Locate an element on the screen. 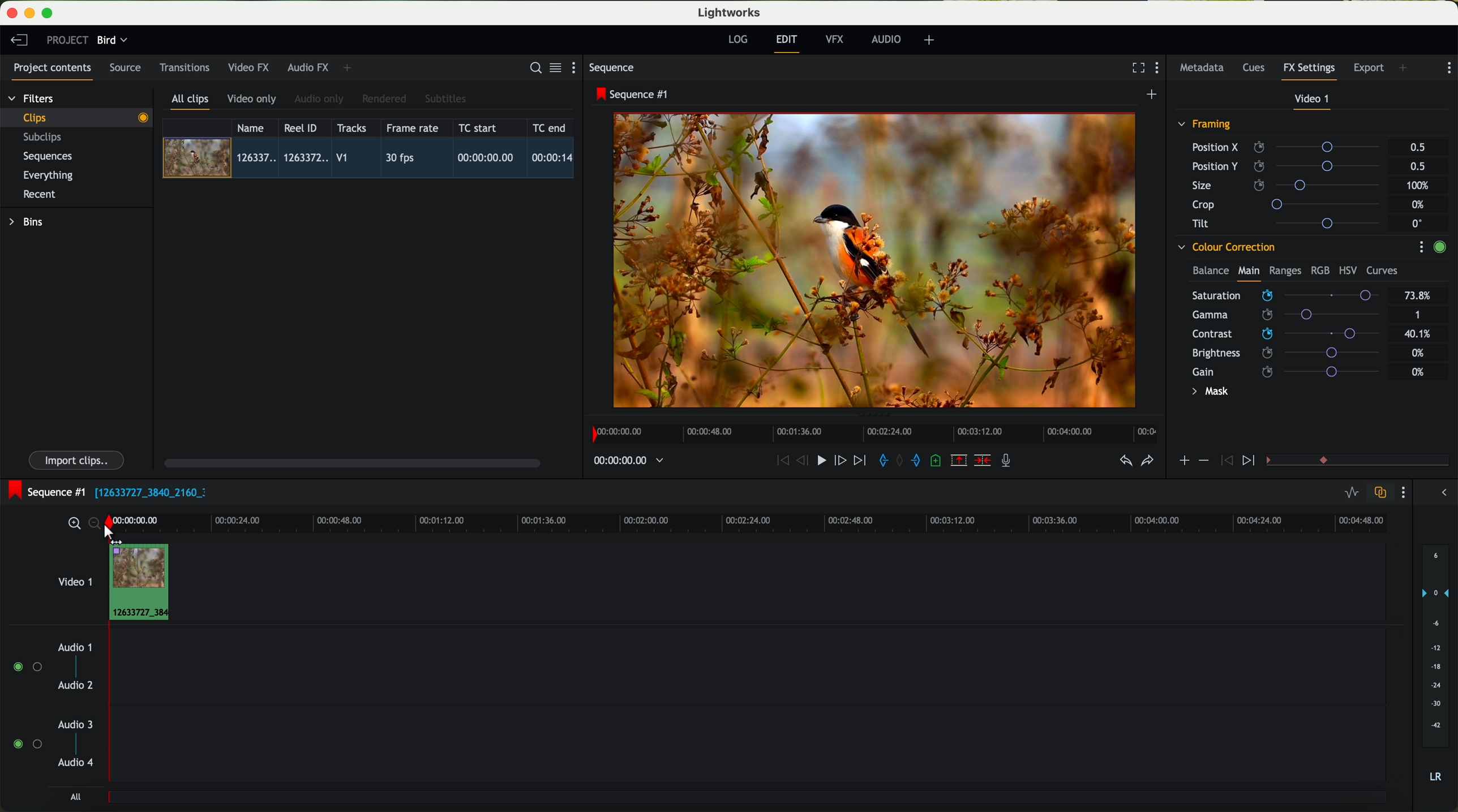  import clips is located at coordinates (78, 459).